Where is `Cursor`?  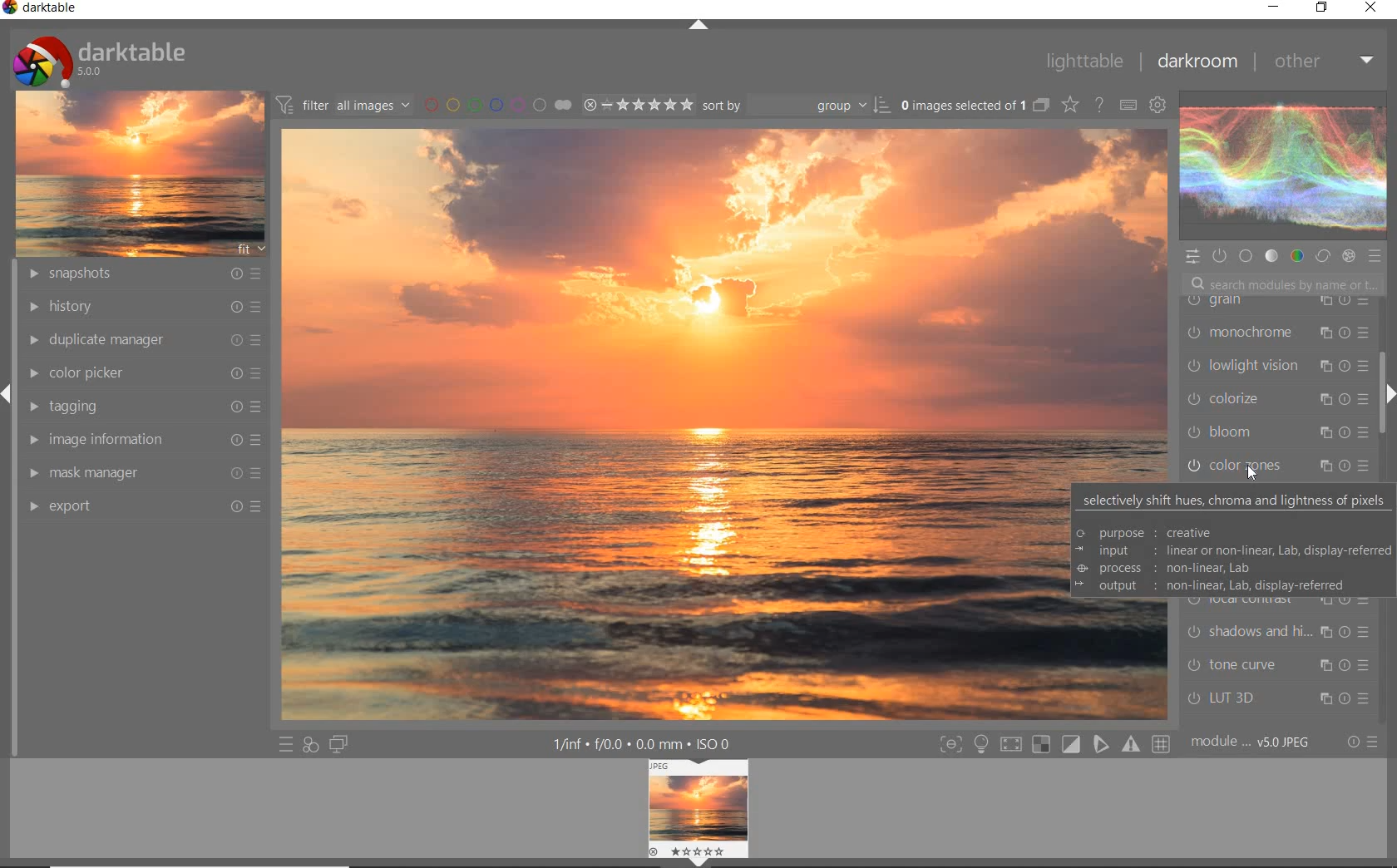
Cursor is located at coordinates (1243, 469).